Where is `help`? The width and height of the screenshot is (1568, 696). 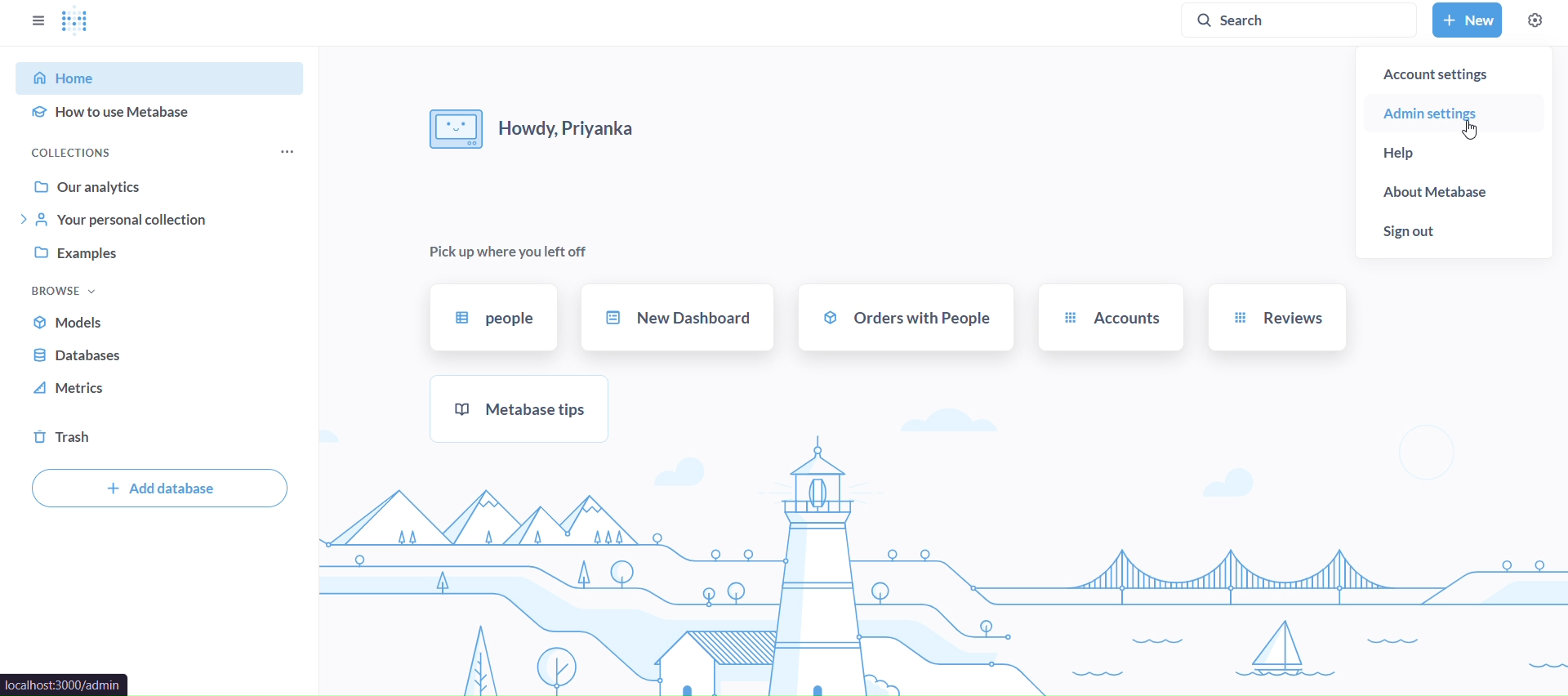 help is located at coordinates (1453, 152).